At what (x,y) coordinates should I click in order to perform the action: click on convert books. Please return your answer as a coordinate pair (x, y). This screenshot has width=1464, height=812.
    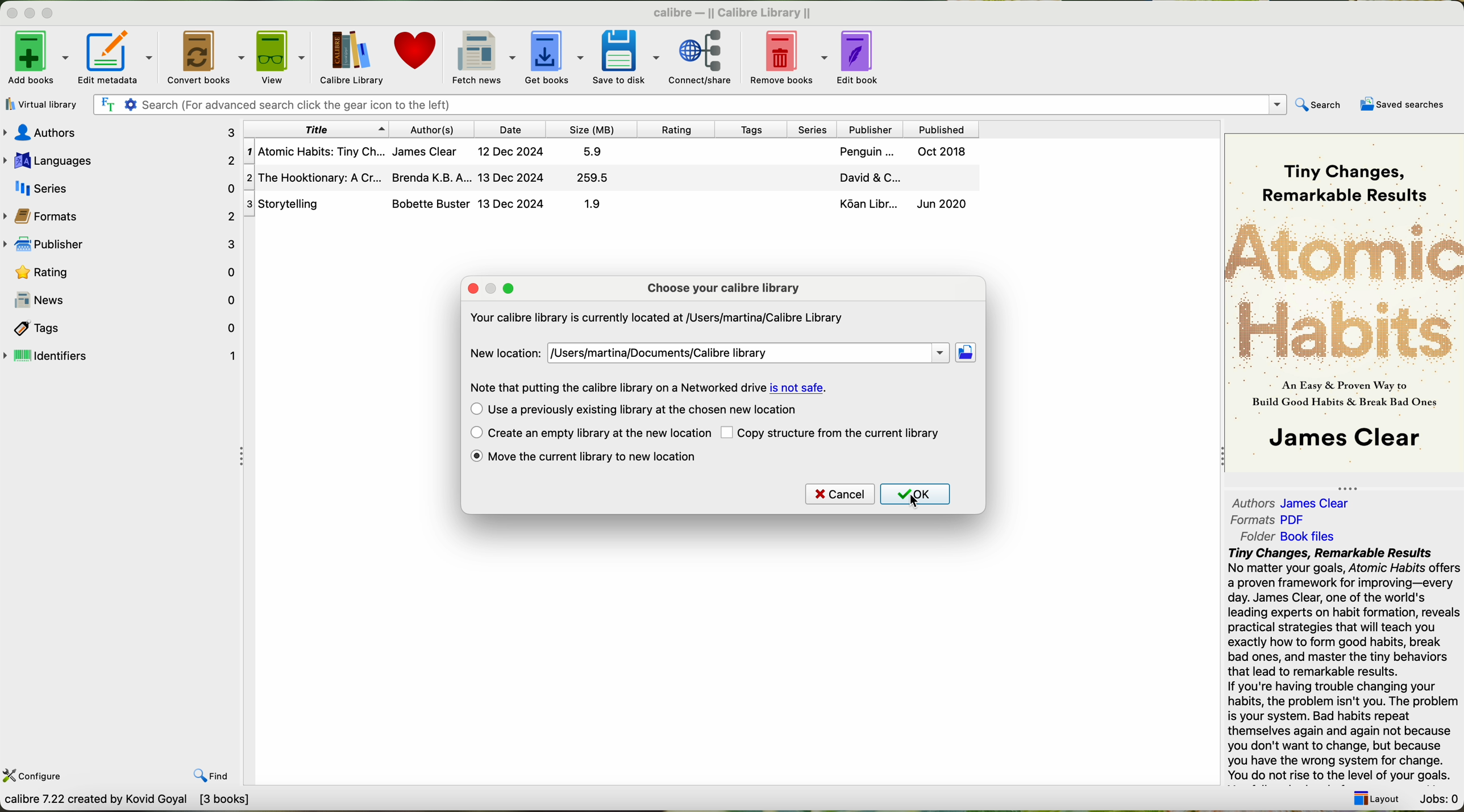
    Looking at the image, I should click on (203, 56).